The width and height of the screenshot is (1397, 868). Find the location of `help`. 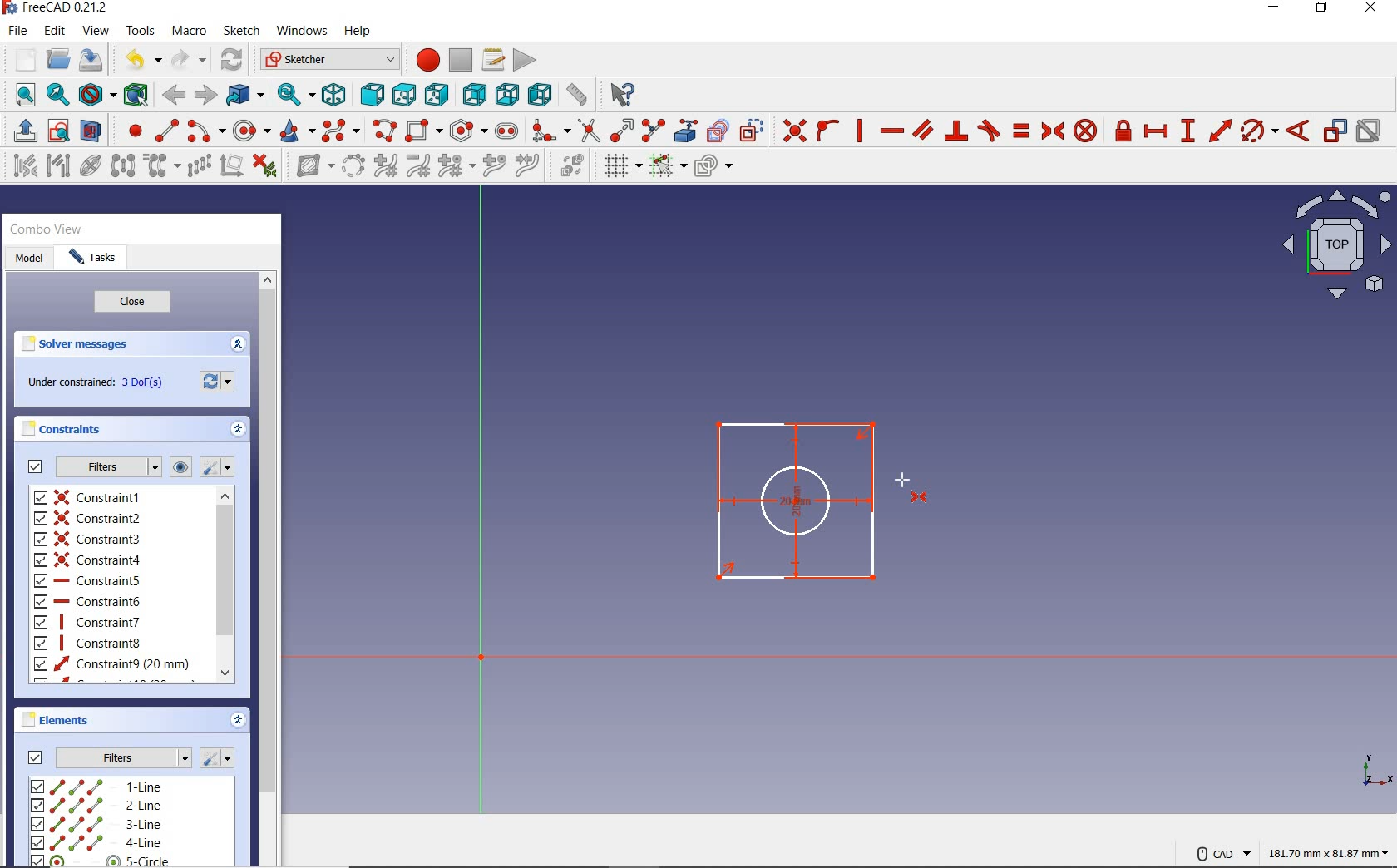

help is located at coordinates (358, 32).